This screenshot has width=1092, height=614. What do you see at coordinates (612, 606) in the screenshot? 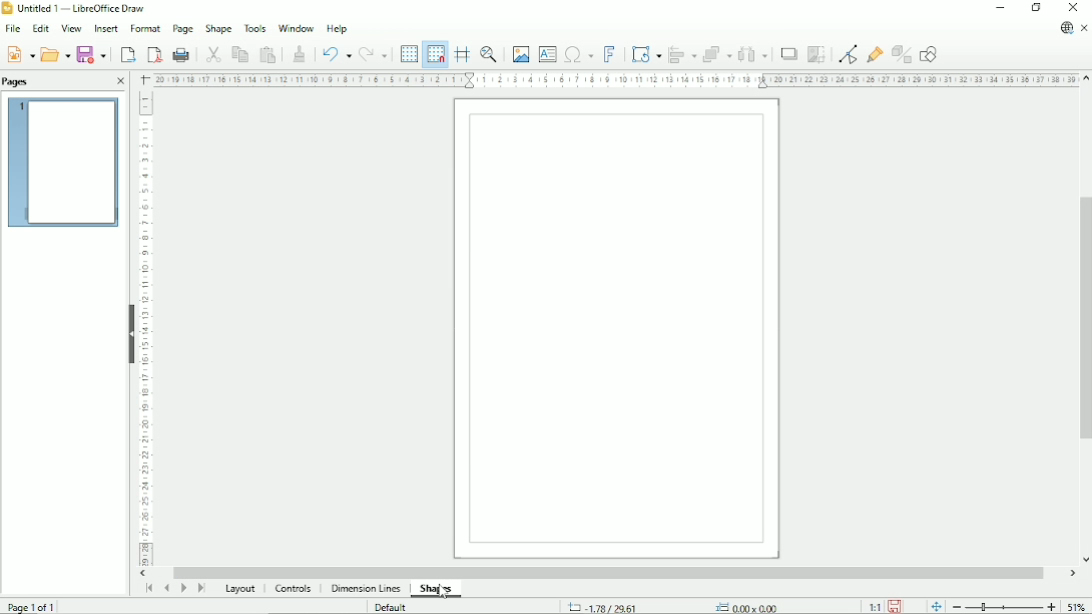
I see `-1.78/29.61` at bounding box center [612, 606].